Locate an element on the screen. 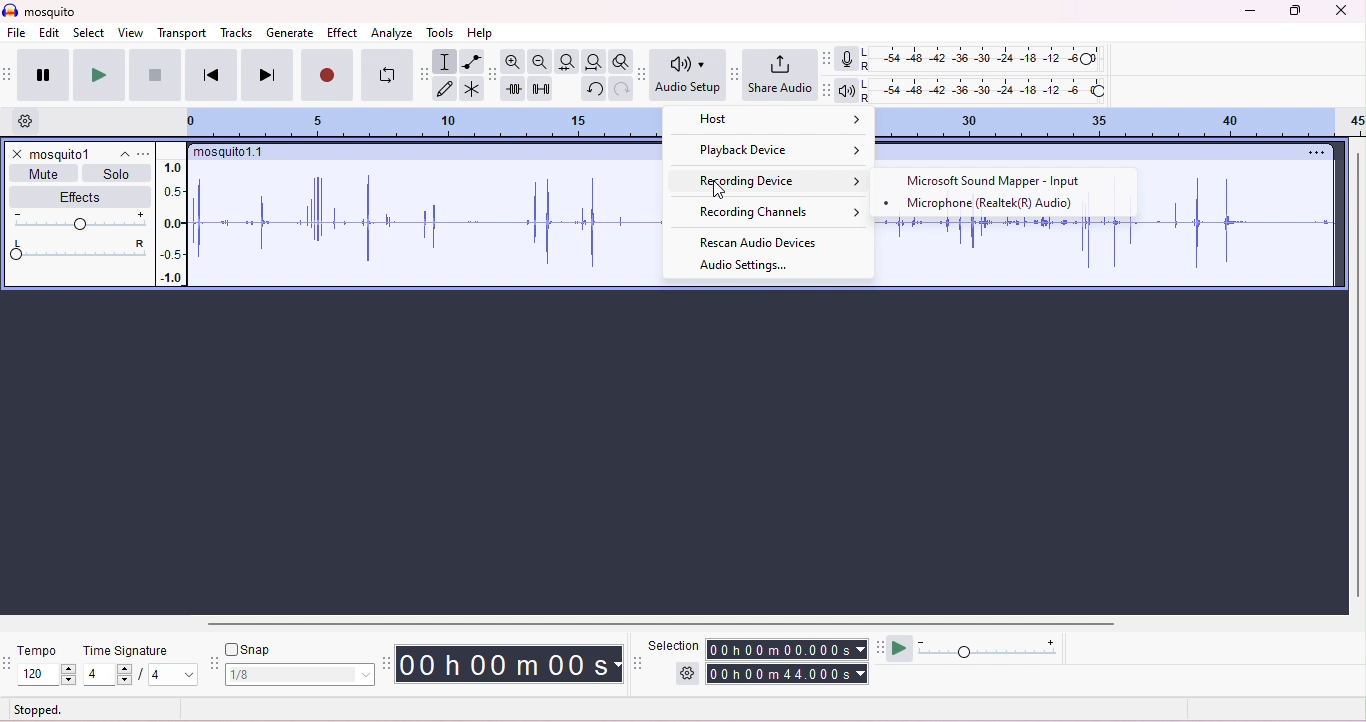 The width and height of the screenshot is (1366, 722). options is located at coordinates (1312, 152).